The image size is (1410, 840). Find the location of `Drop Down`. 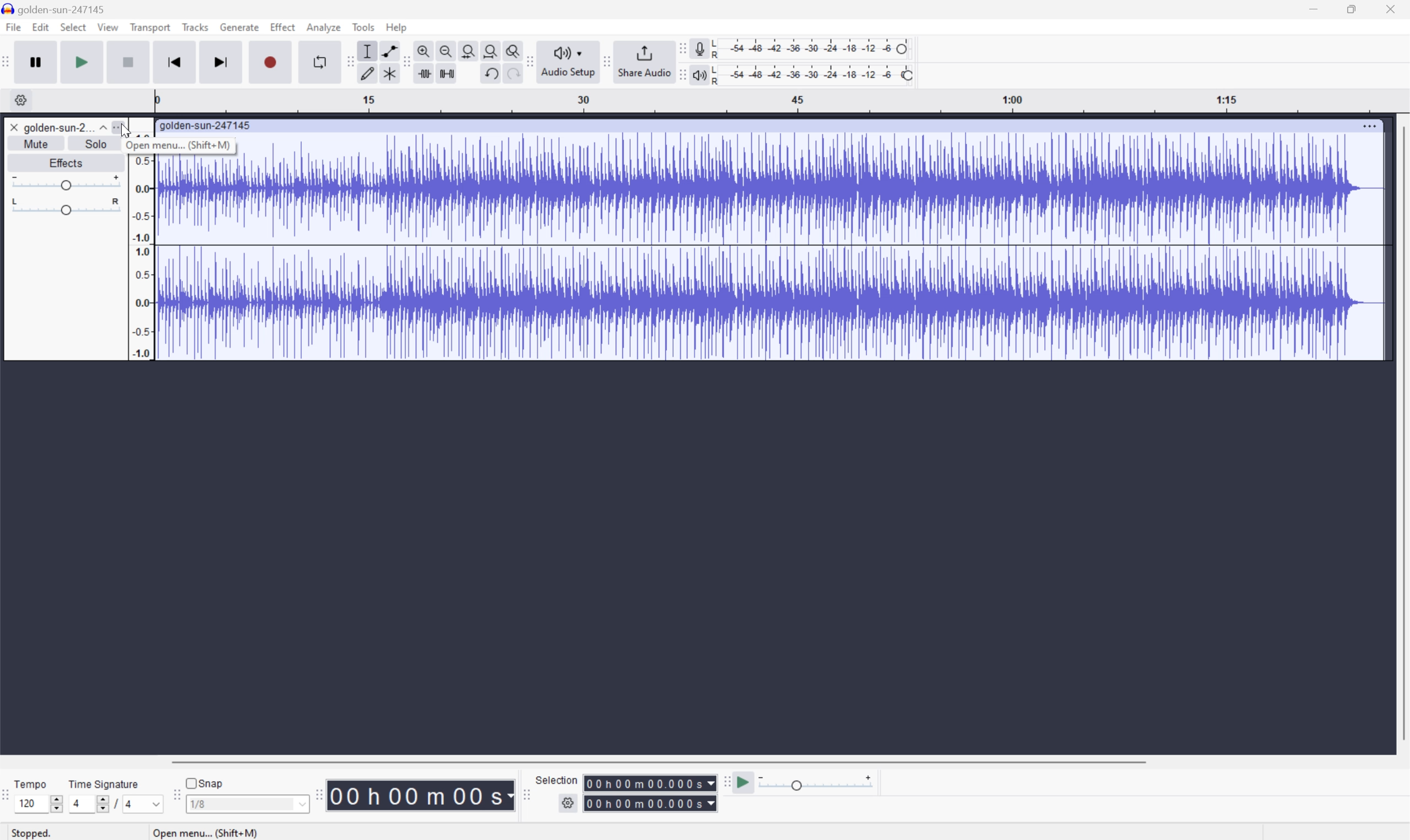

Drop Down is located at coordinates (156, 803).